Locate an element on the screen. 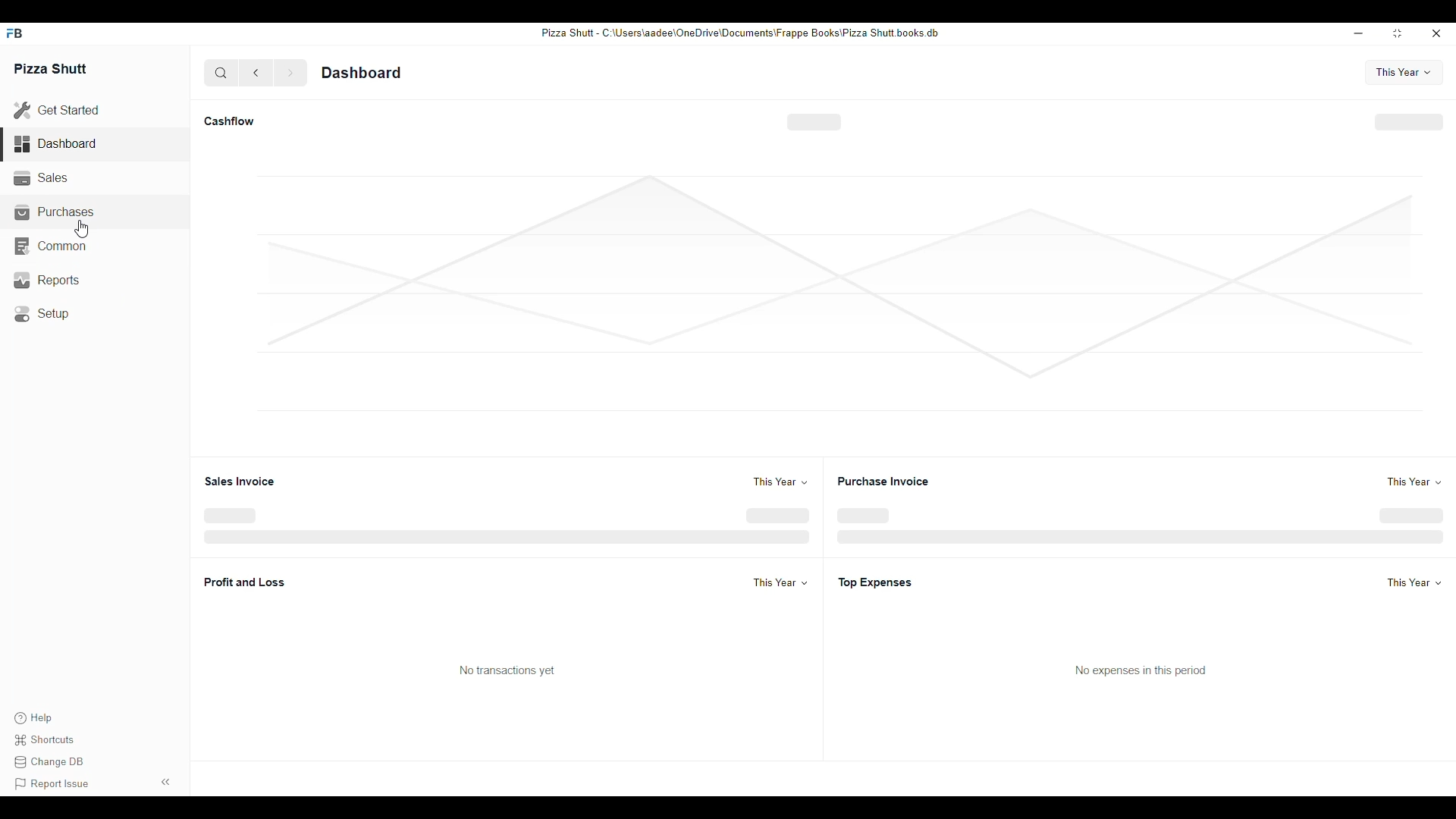 The height and width of the screenshot is (819, 1456). Reports is located at coordinates (49, 281).